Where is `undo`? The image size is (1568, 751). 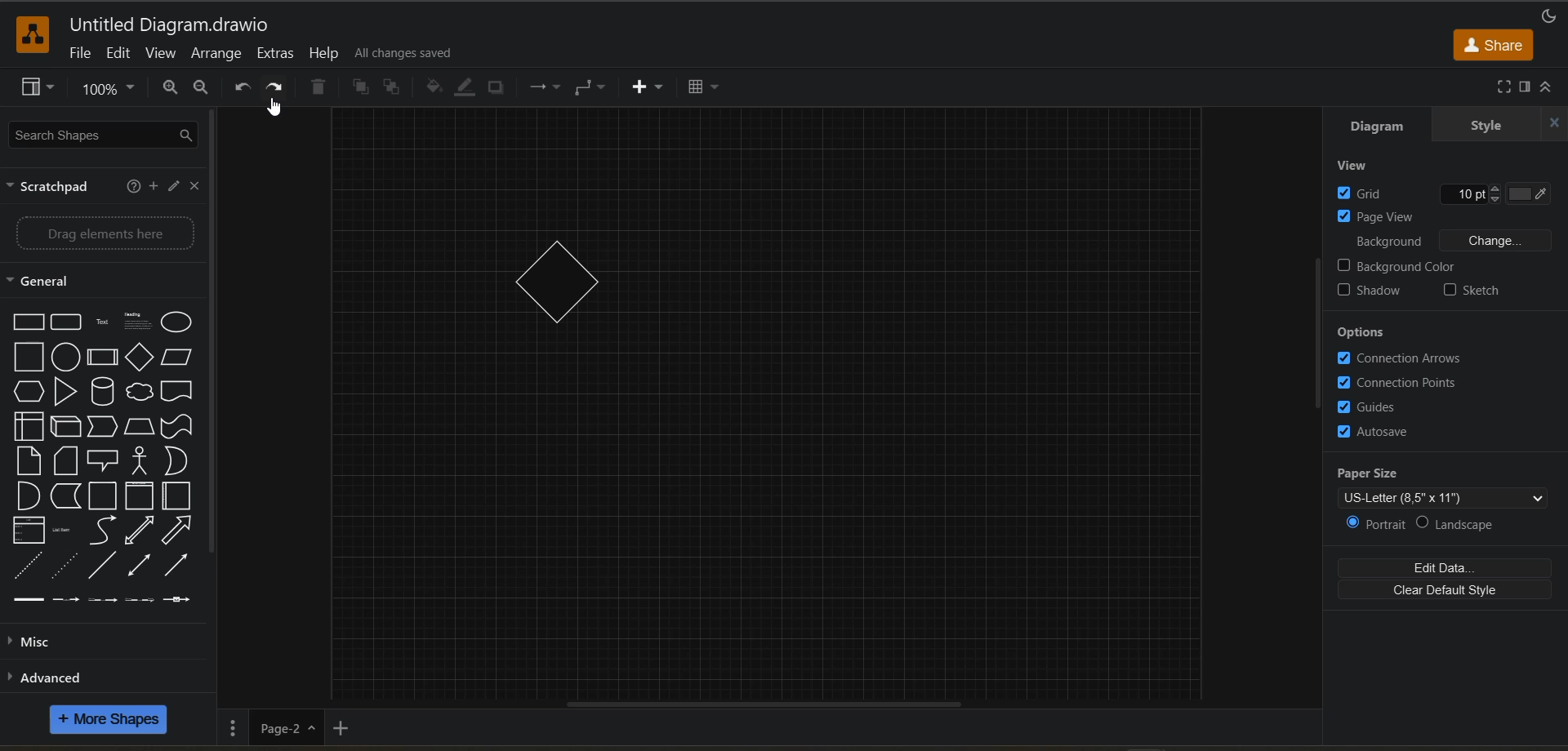
undo is located at coordinates (240, 90).